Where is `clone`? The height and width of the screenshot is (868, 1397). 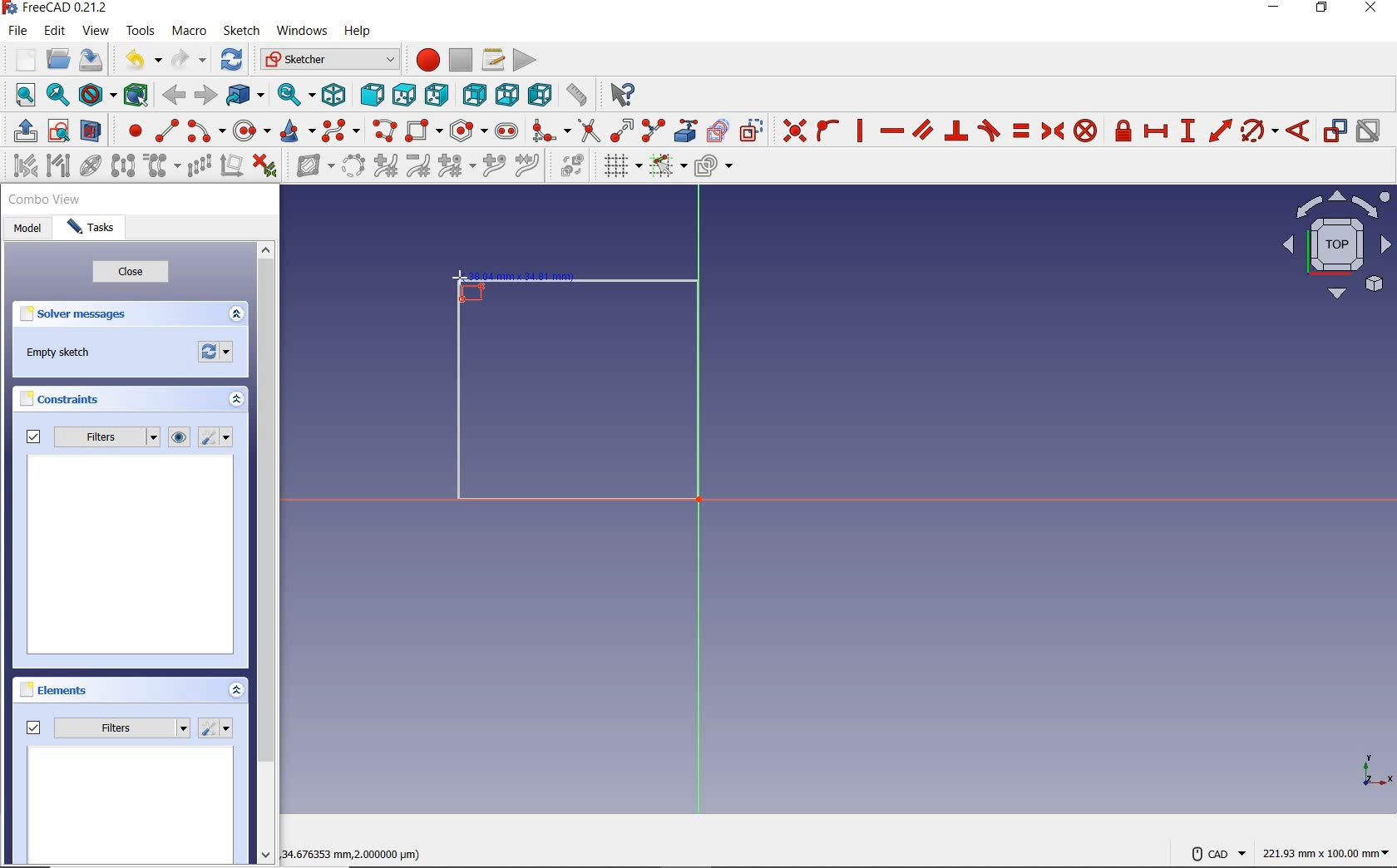
clone is located at coordinates (163, 166).